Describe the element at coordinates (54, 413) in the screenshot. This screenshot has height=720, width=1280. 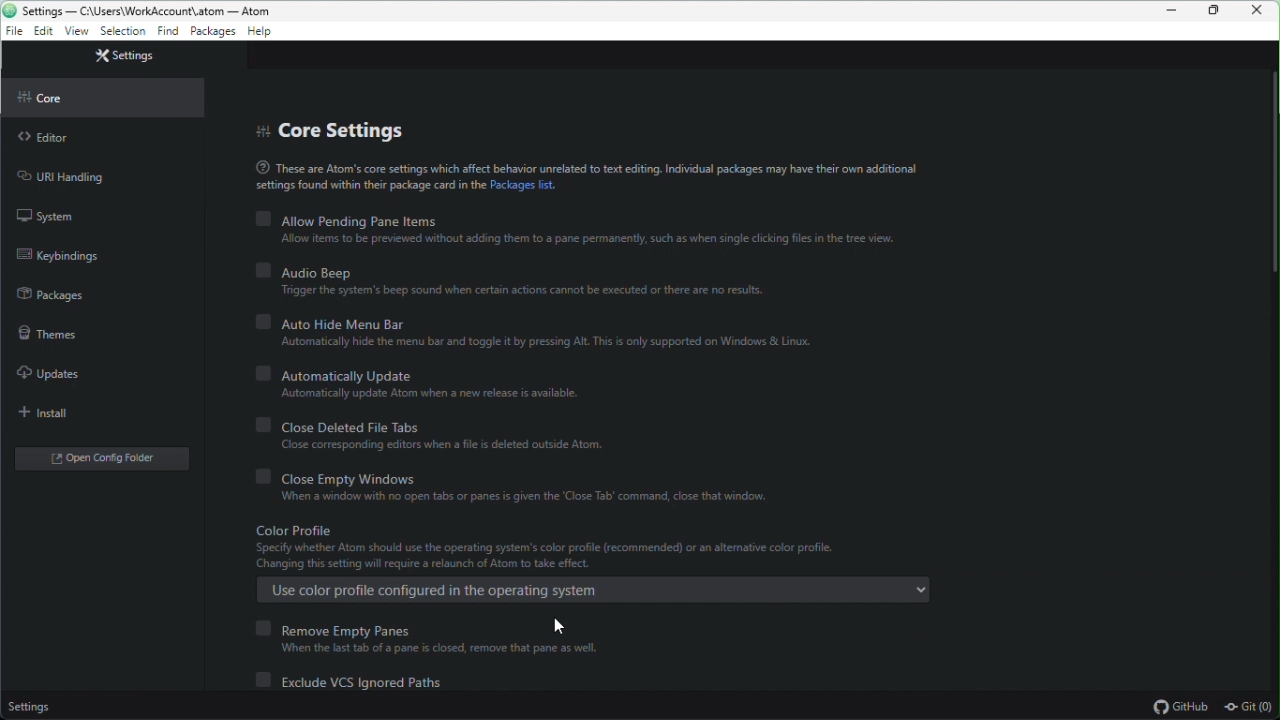
I see `Install` at that location.